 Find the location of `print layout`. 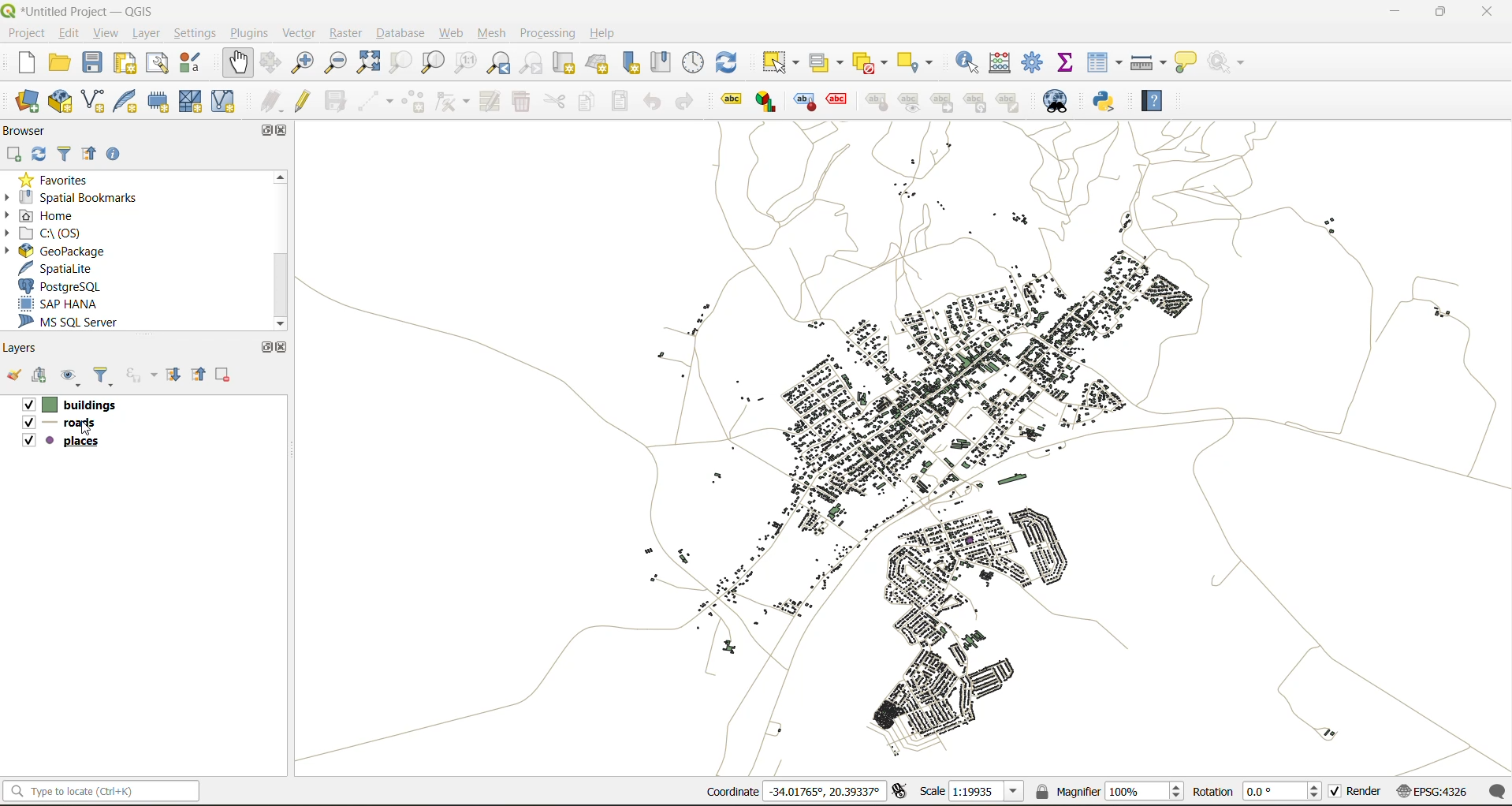

print layout is located at coordinates (125, 65).